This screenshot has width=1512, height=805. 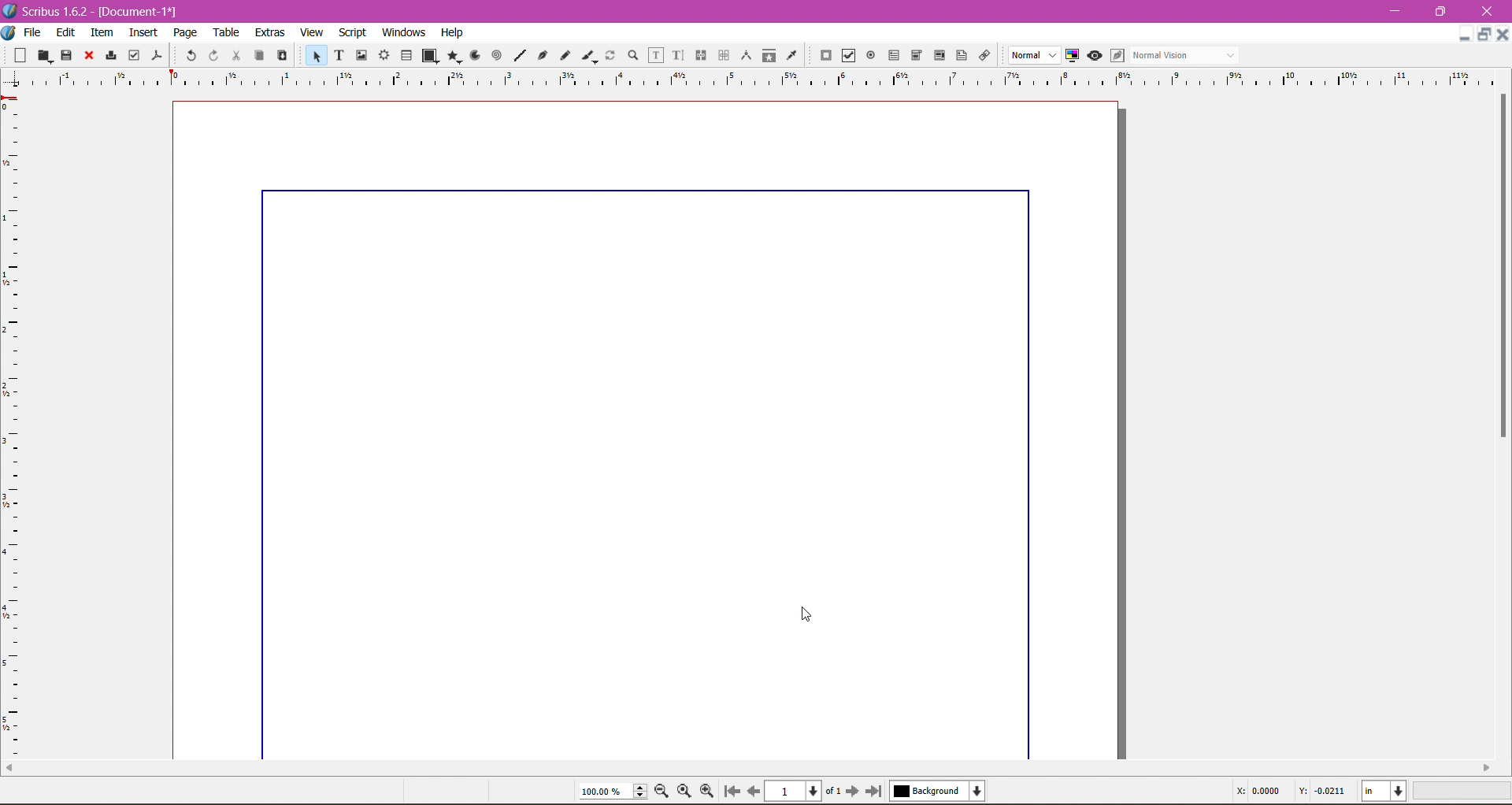 I want to click on Edit Contents of Frame, so click(x=654, y=56).